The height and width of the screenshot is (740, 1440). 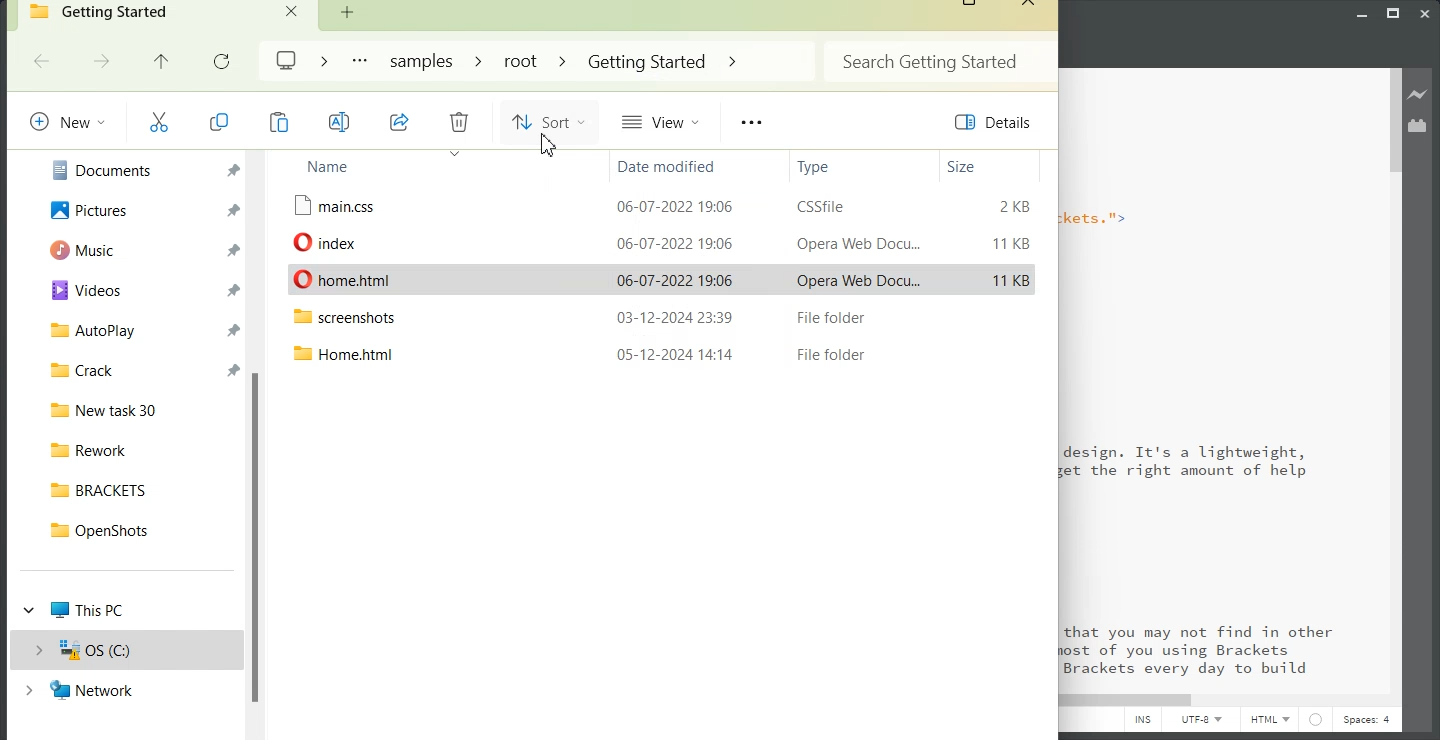 I want to click on UTF-8, so click(x=1202, y=722).